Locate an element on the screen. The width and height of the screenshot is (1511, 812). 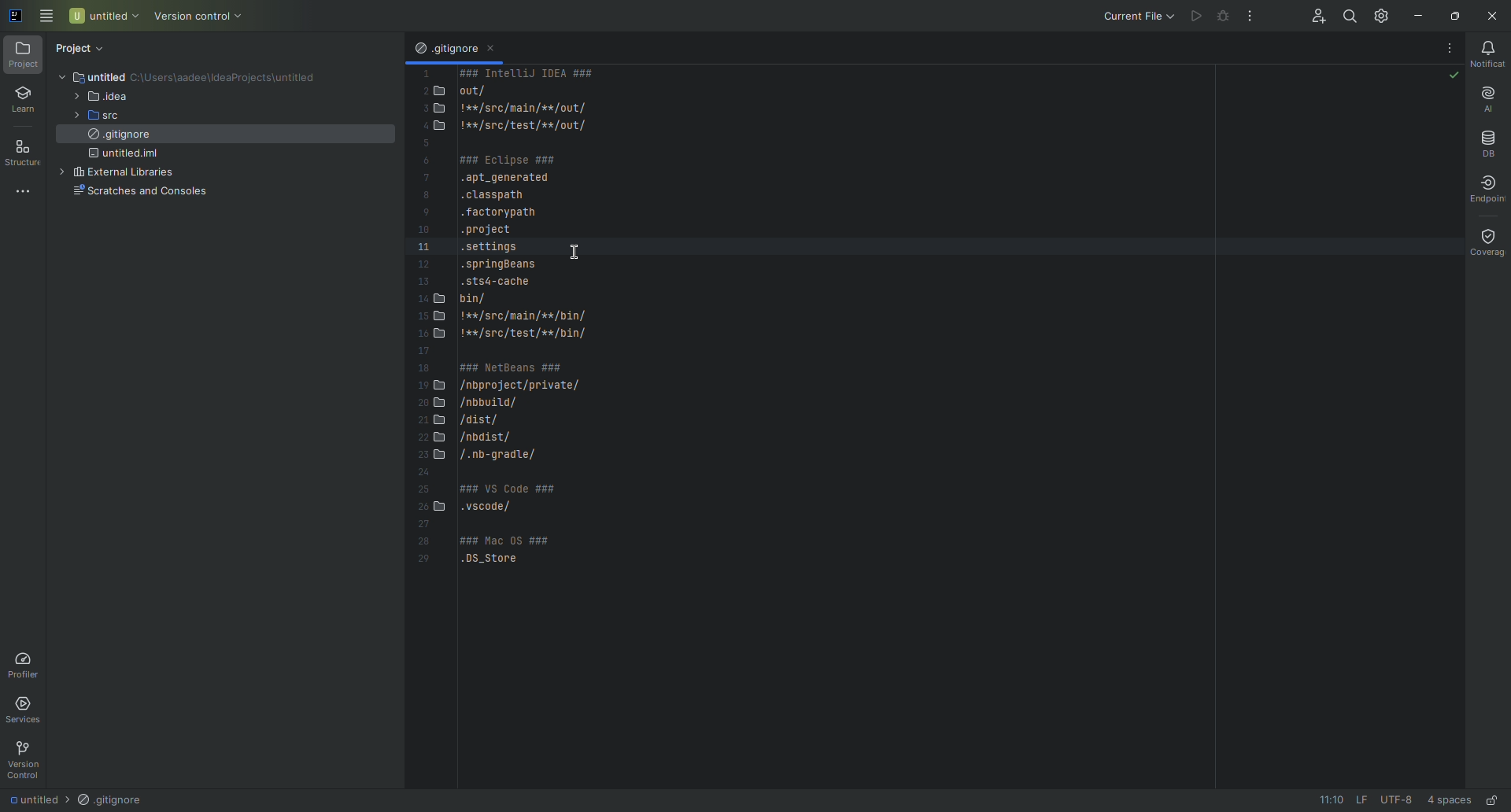
Current file is located at coordinates (1132, 15).